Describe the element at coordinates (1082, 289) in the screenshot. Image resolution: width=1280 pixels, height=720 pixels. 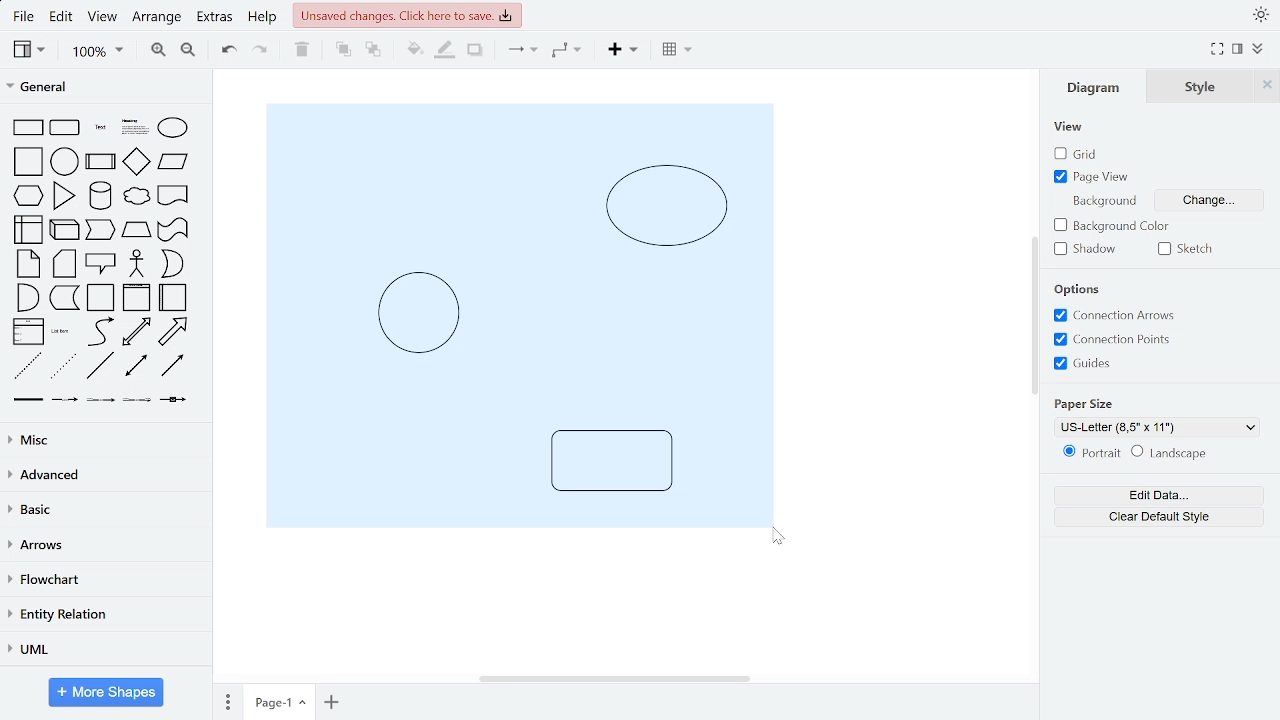
I see `background` at that location.